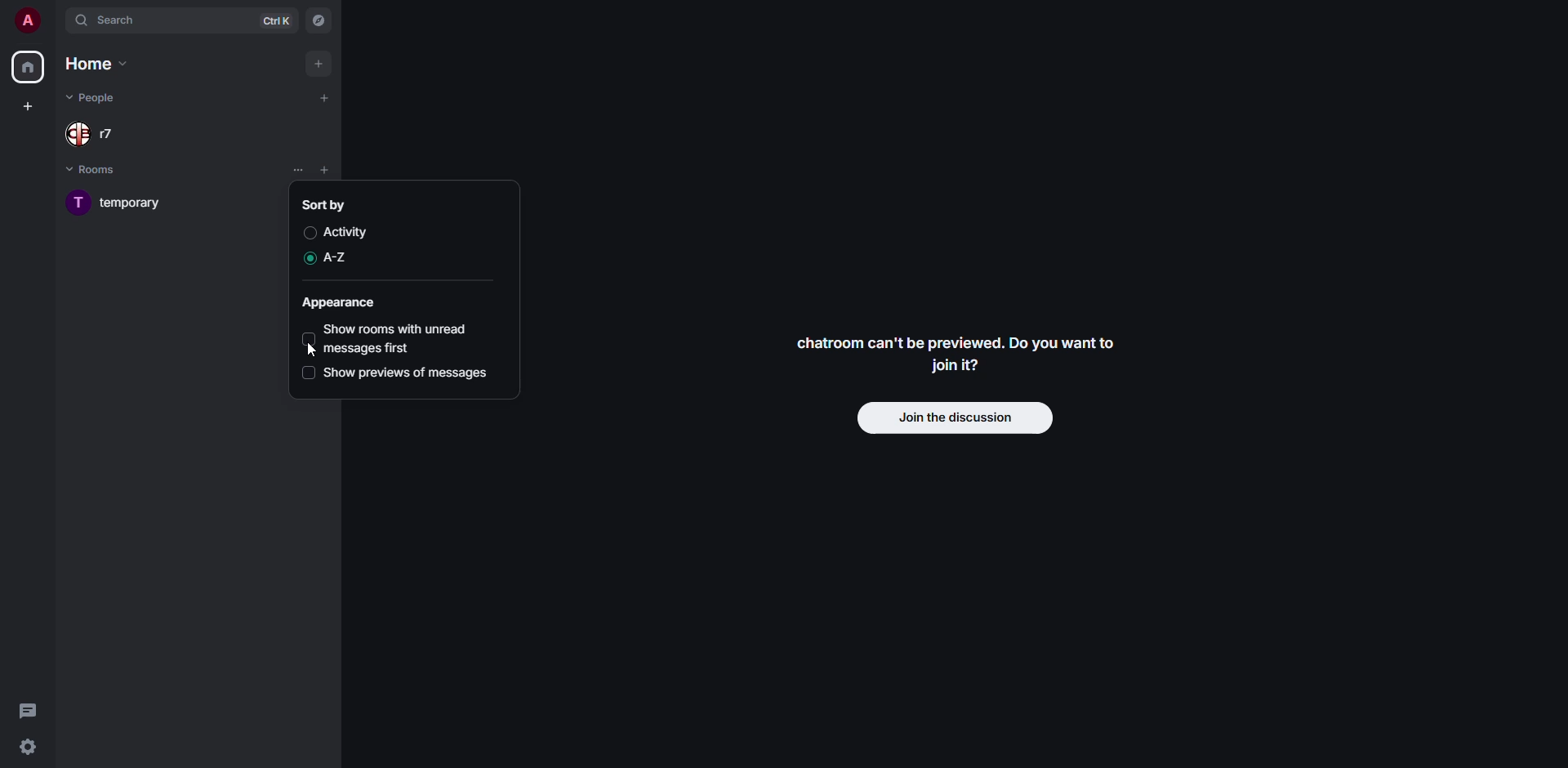  What do you see at coordinates (310, 233) in the screenshot?
I see `disabled` at bounding box center [310, 233].